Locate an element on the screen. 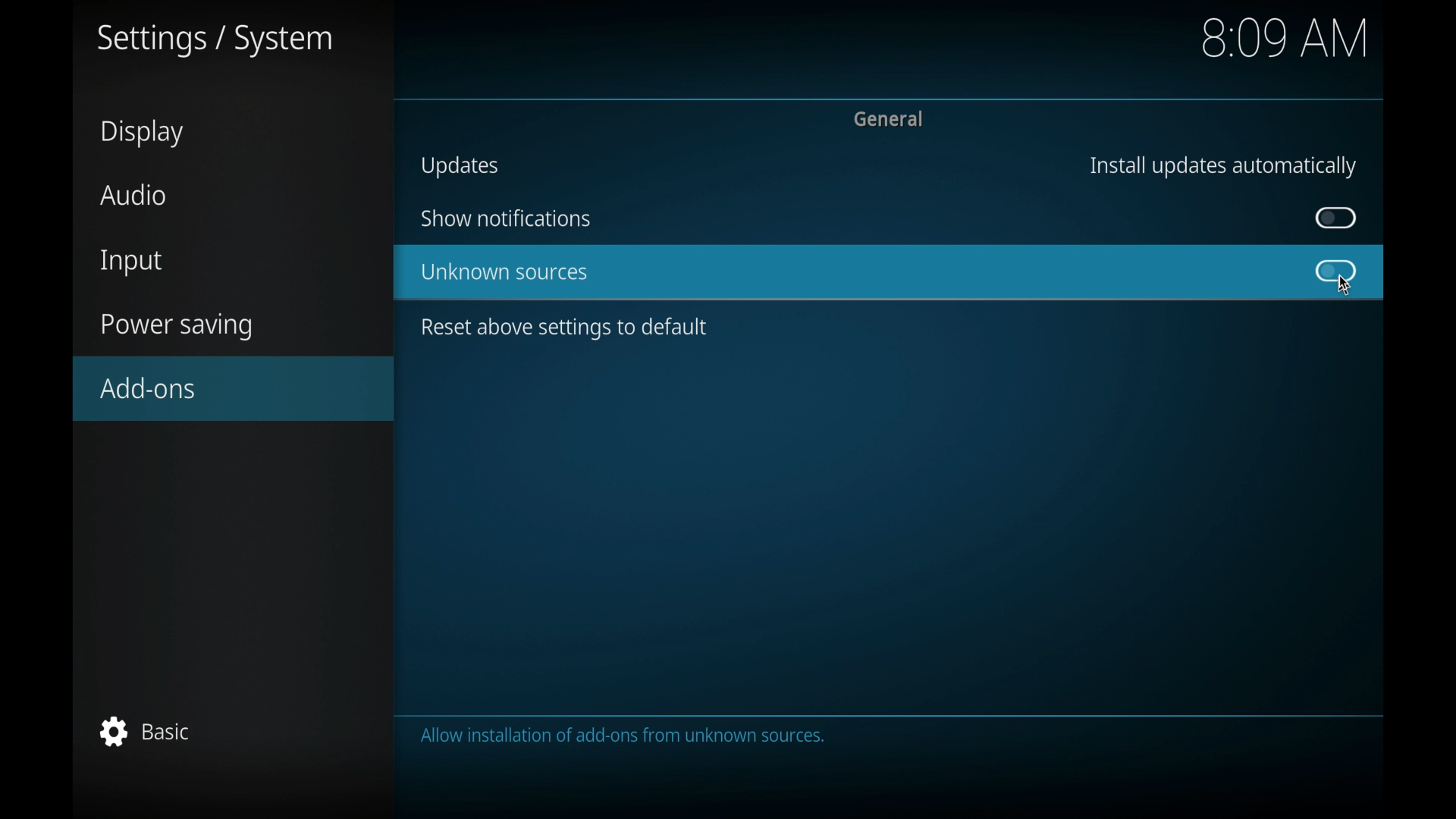 This screenshot has width=1456, height=819. add-ons is located at coordinates (235, 388).